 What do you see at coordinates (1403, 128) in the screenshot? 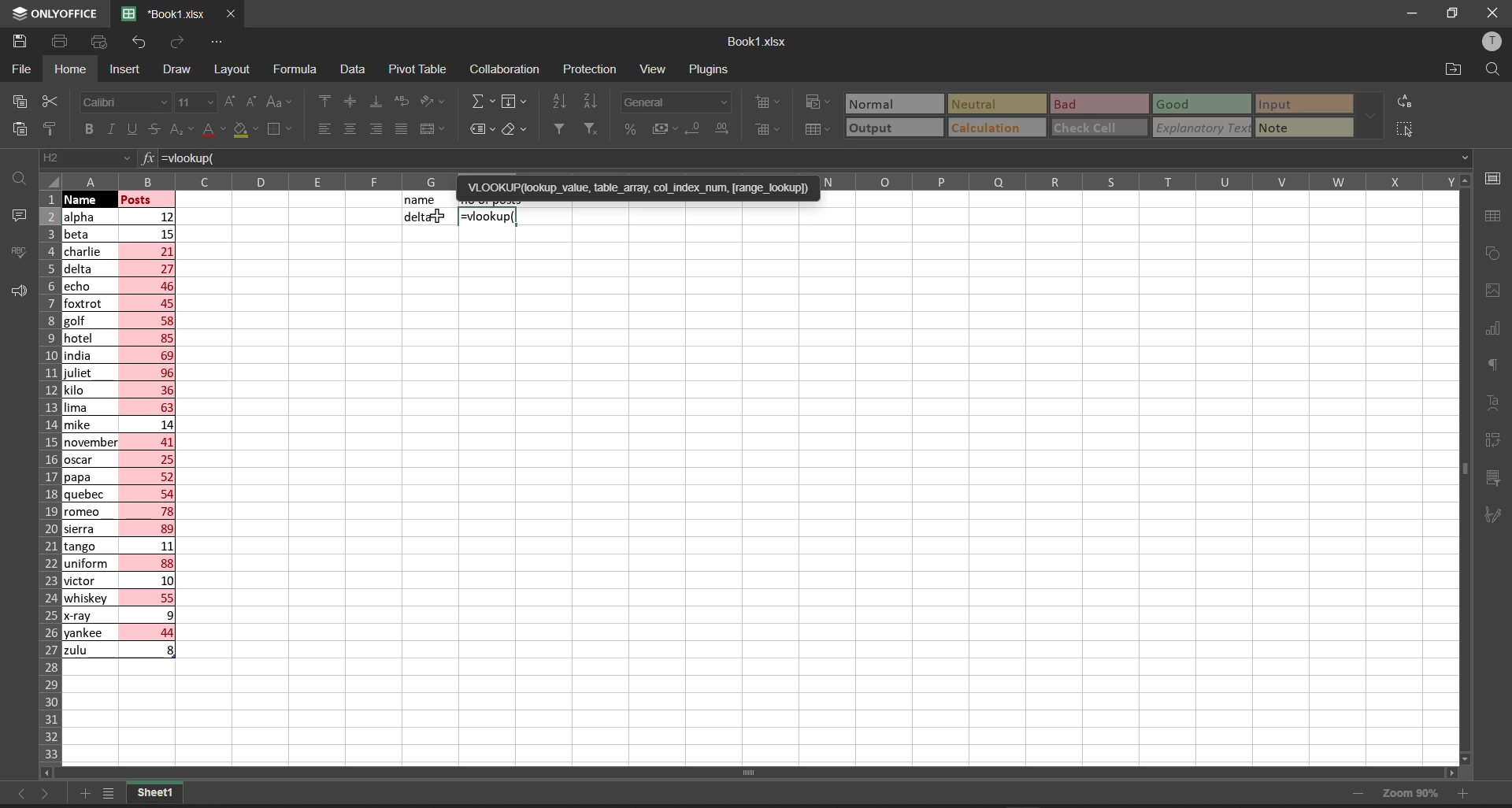
I see `select all` at bounding box center [1403, 128].